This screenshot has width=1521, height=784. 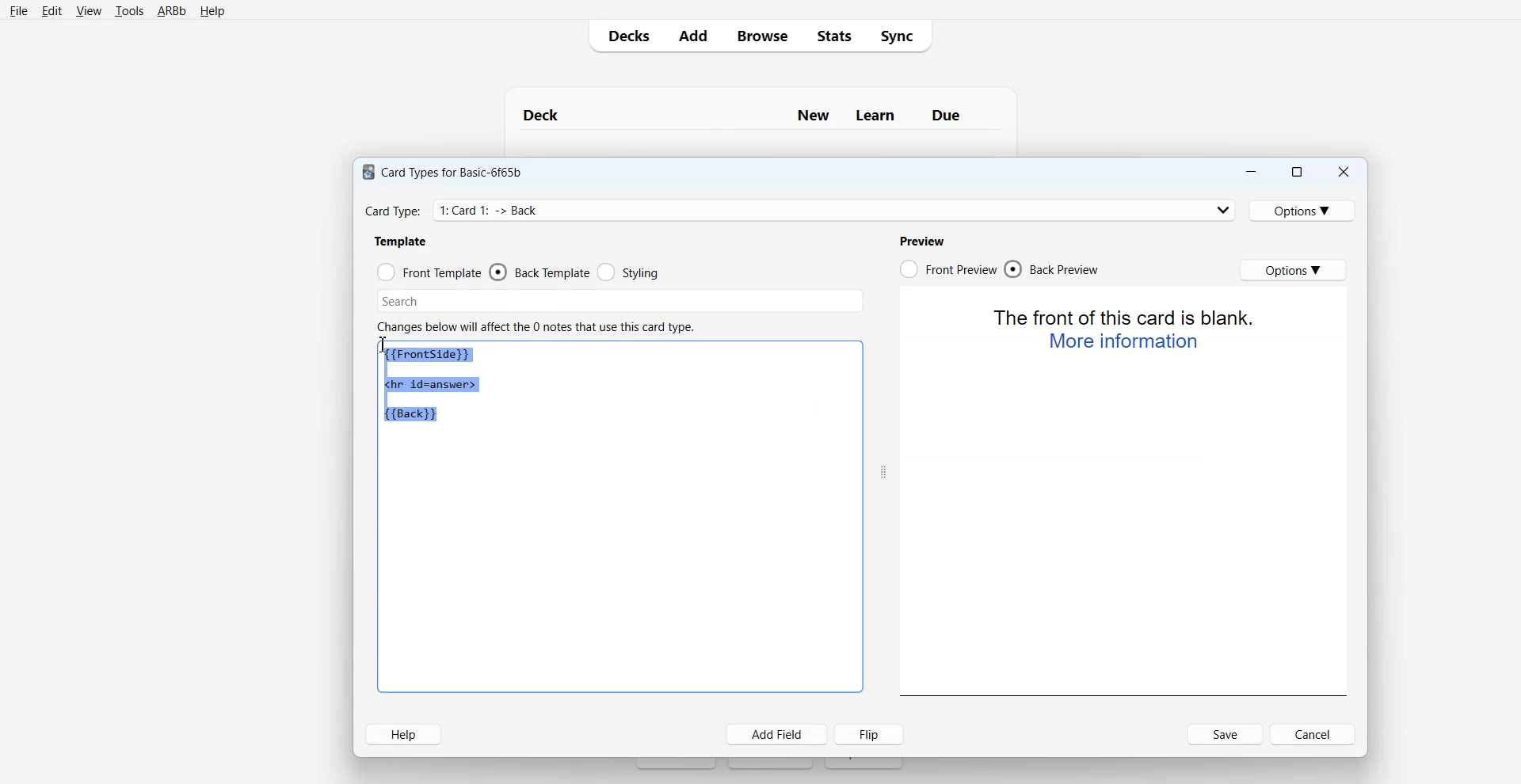 What do you see at coordinates (617, 299) in the screenshot?
I see `Search Bar` at bounding box center [617, 299].